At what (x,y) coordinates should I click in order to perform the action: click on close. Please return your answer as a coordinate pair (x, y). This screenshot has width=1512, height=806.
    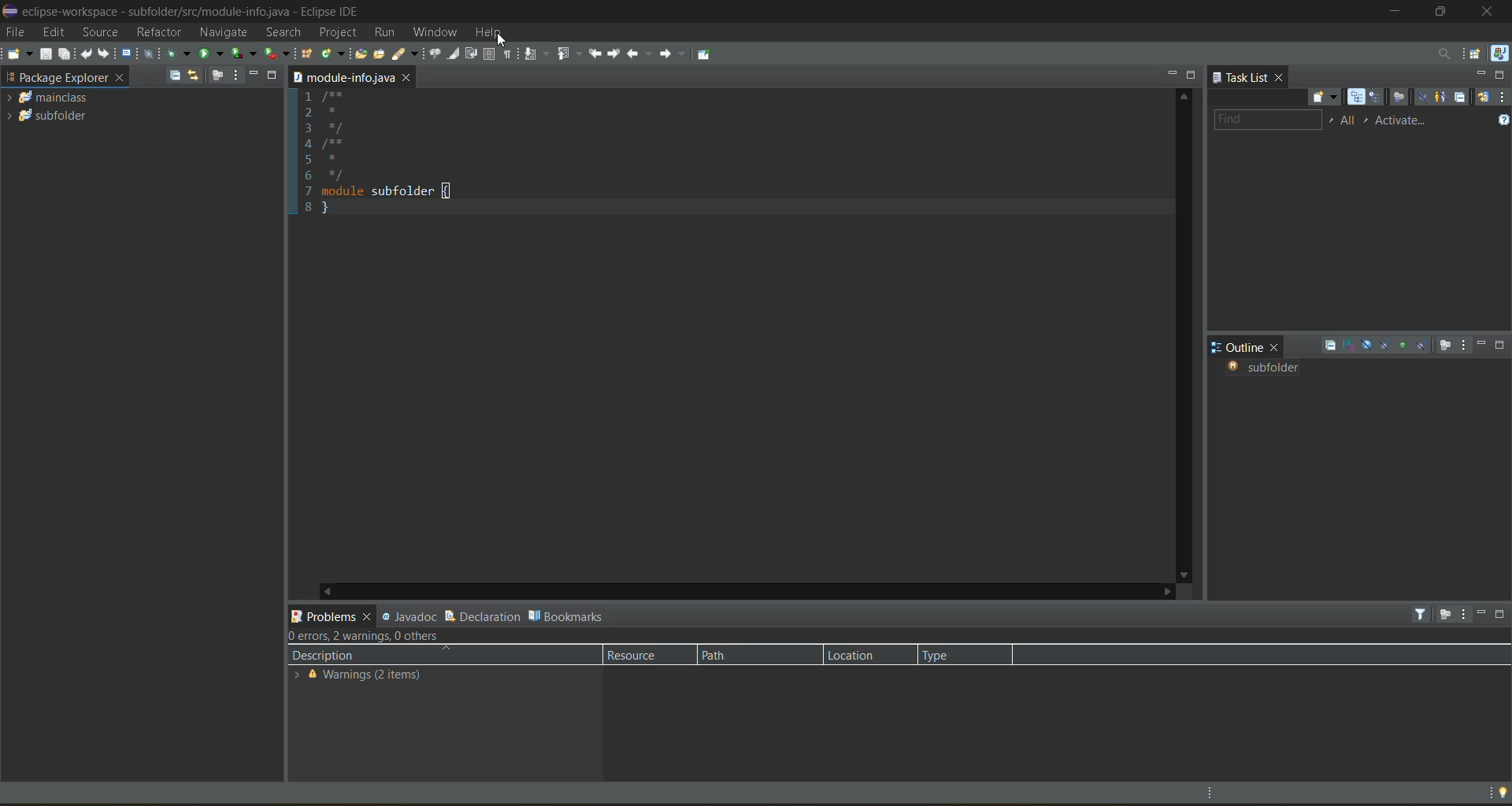
    Looking at the image, I should click on (1277, 347).